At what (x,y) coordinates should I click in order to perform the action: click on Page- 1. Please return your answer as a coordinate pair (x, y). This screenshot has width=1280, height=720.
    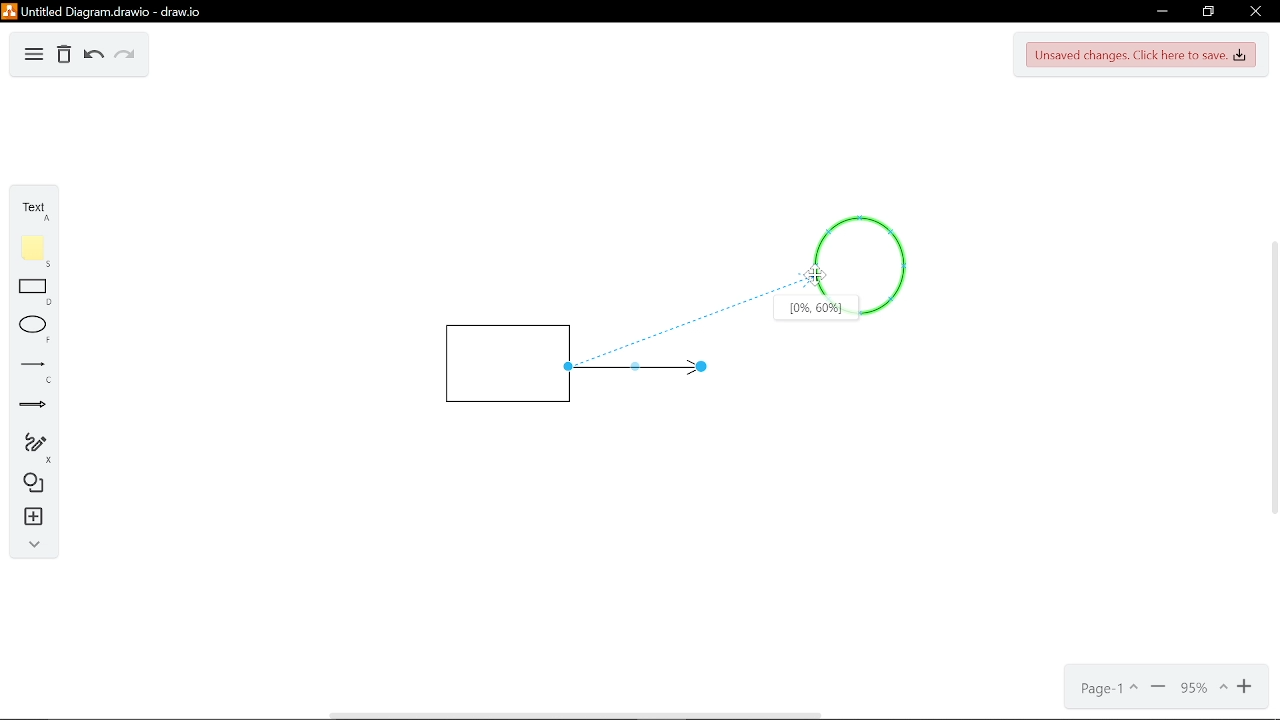
    Looking at the image, I should click on (1107, 690).